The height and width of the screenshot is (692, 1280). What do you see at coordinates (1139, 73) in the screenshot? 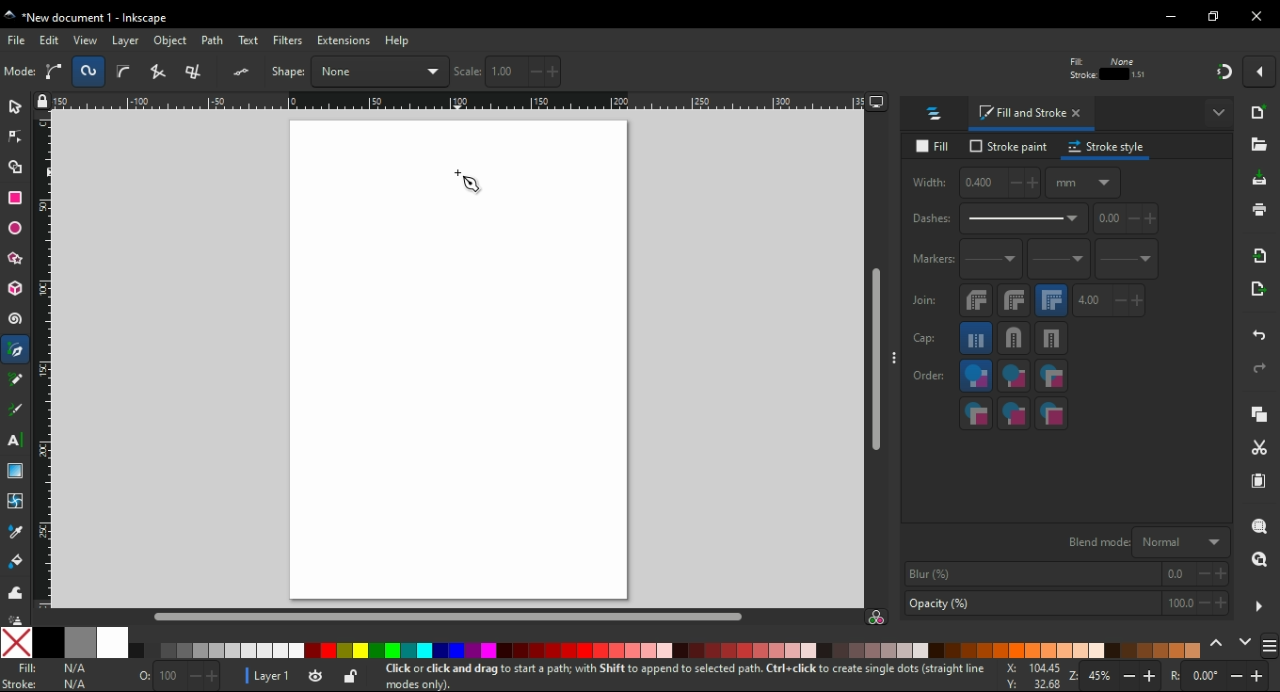
I see `move gradients along with other objects` at bounding box center [1139, 73].